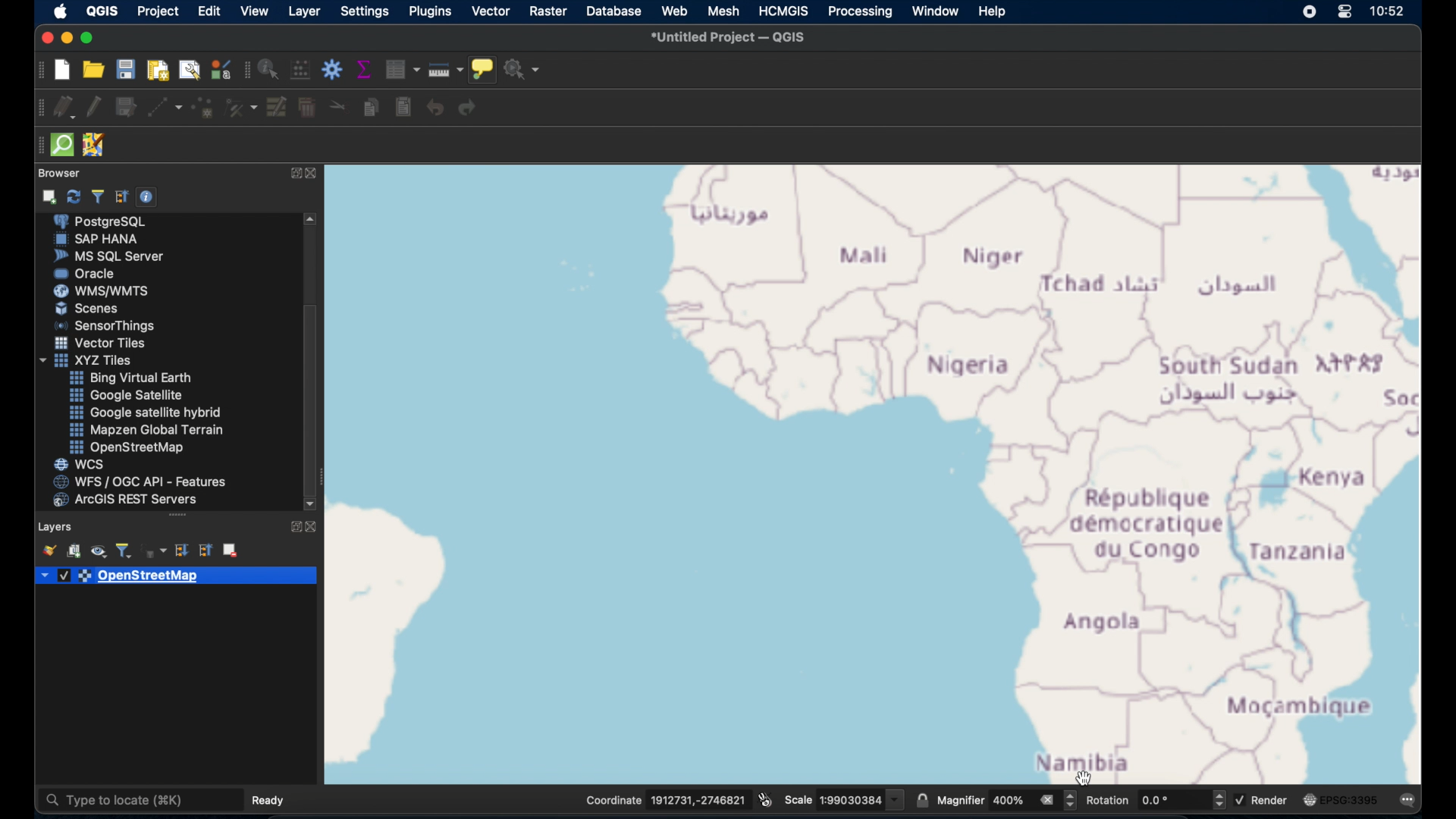 The width and height of the screenshot is (1456, 819). What do you see at coordinates (444, 71) in the screenshot?
I see `measure line` at bounding box center [444, 71].